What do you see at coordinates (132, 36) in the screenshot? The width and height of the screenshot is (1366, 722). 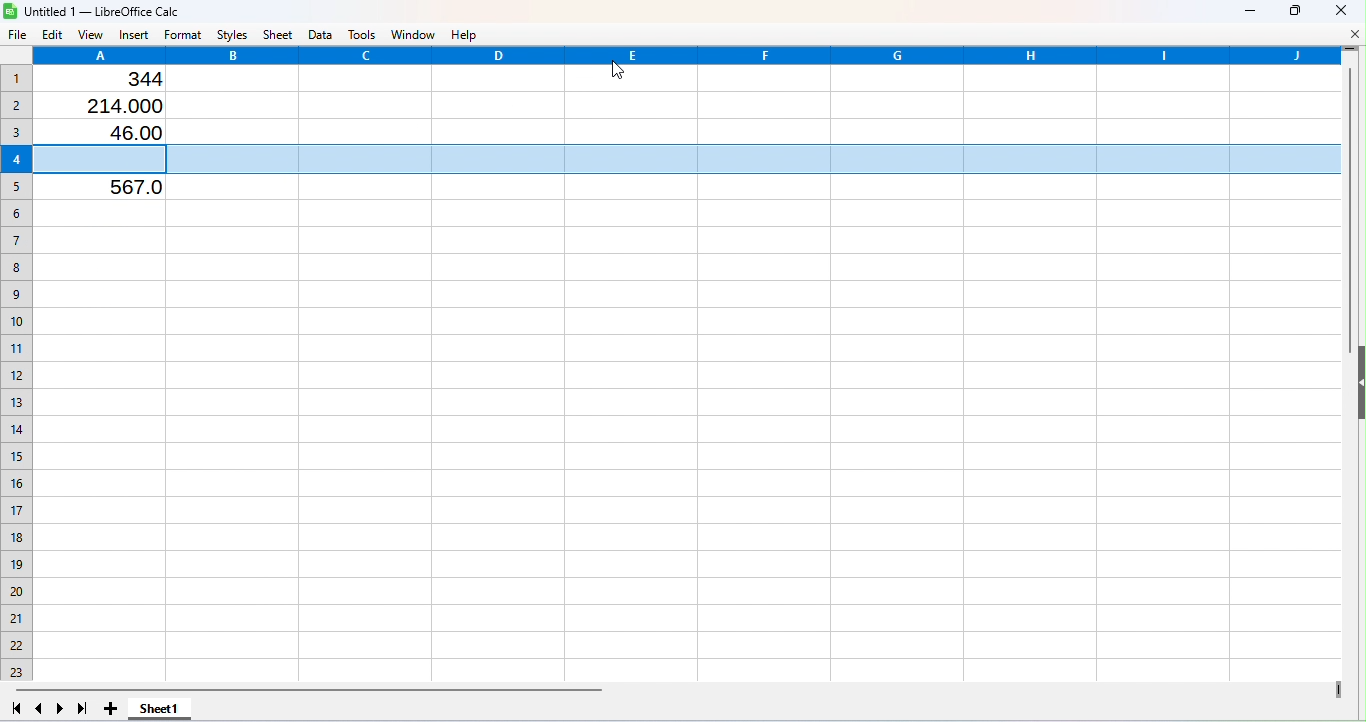 I see `Insert` at bounding box center [132, 36].